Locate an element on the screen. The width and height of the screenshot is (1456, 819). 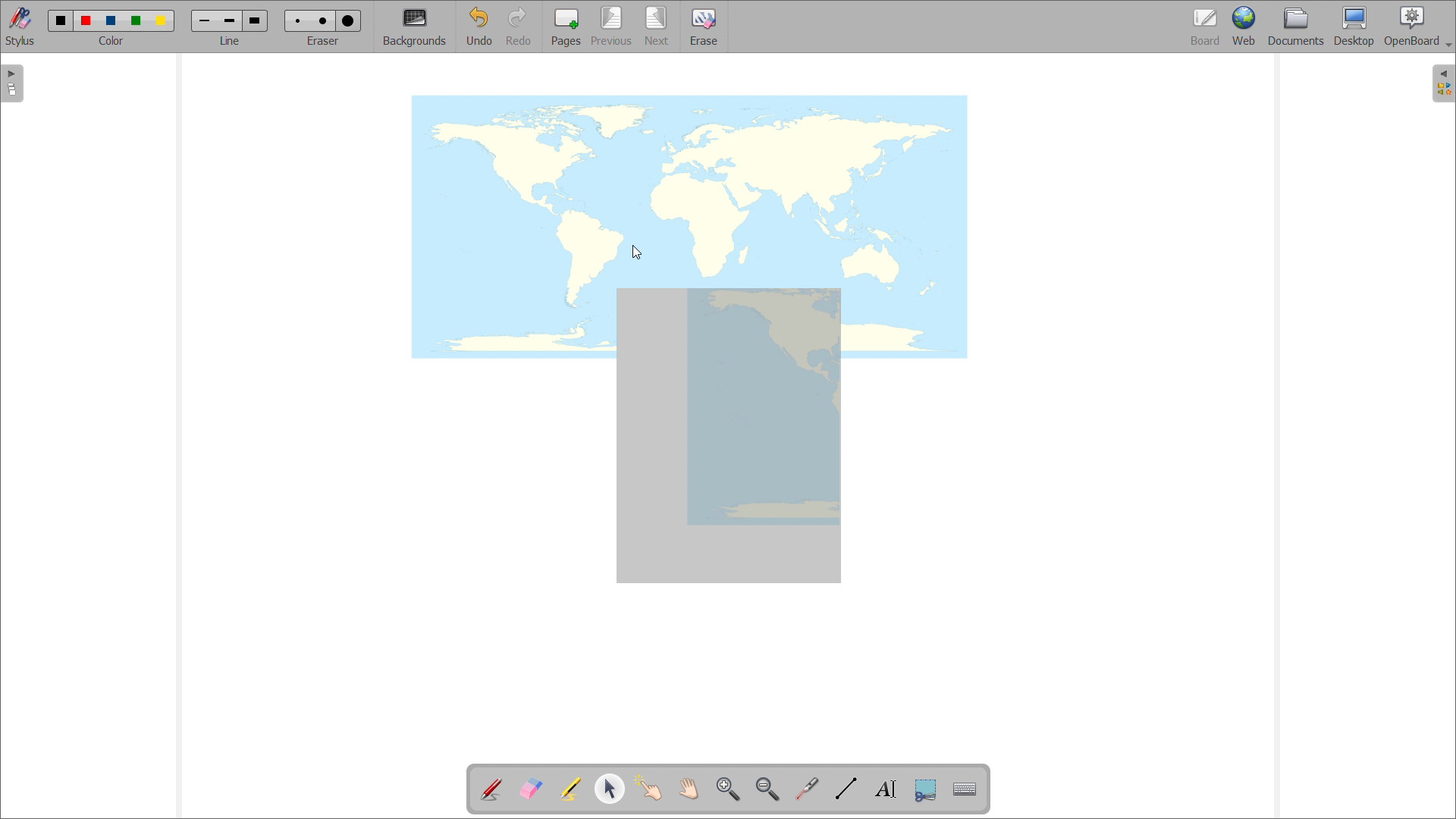
openboard settings is located at coordinates (1417, 25).